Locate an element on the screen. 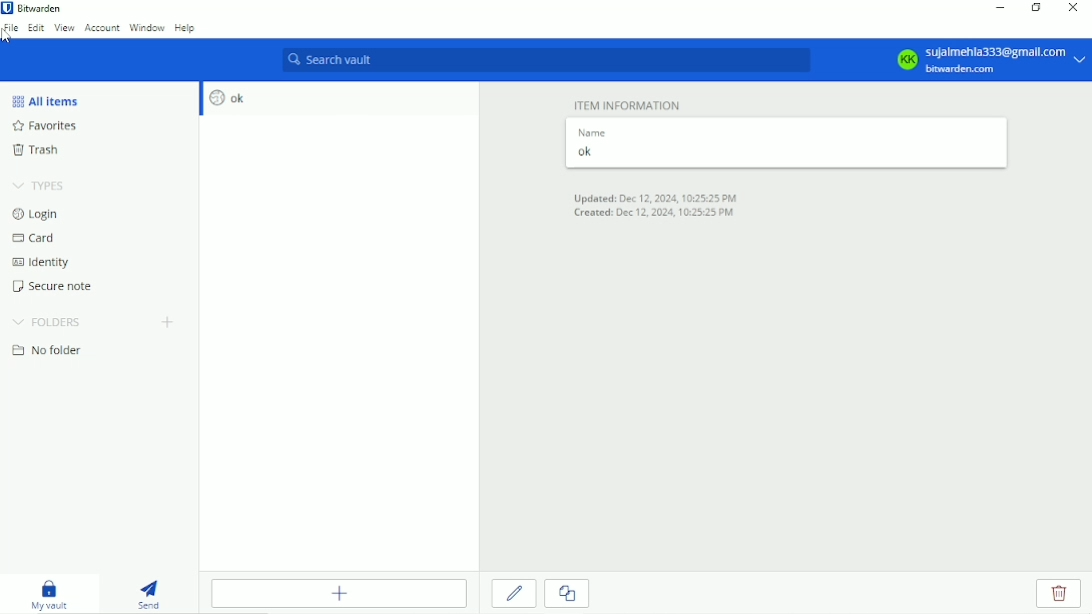 This screenshot has width=1092, height=614. Help is located at coordinates (186, 29).